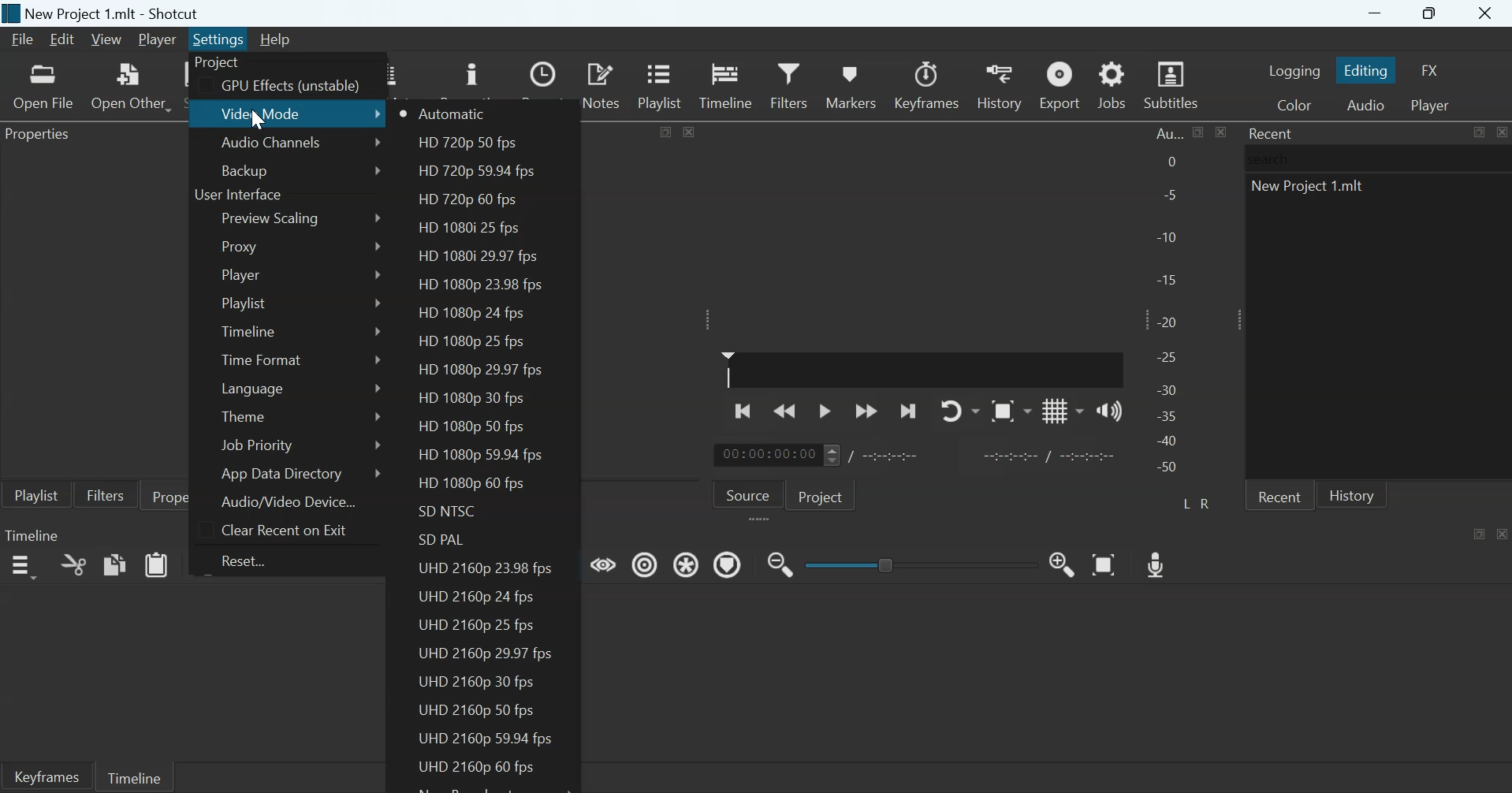 The width and height of the screenshot is (1512, 793). What do you see at coordinates (728, 564) in the screenshot?
I see `Ripple markers` at bounding box center [728, 564].